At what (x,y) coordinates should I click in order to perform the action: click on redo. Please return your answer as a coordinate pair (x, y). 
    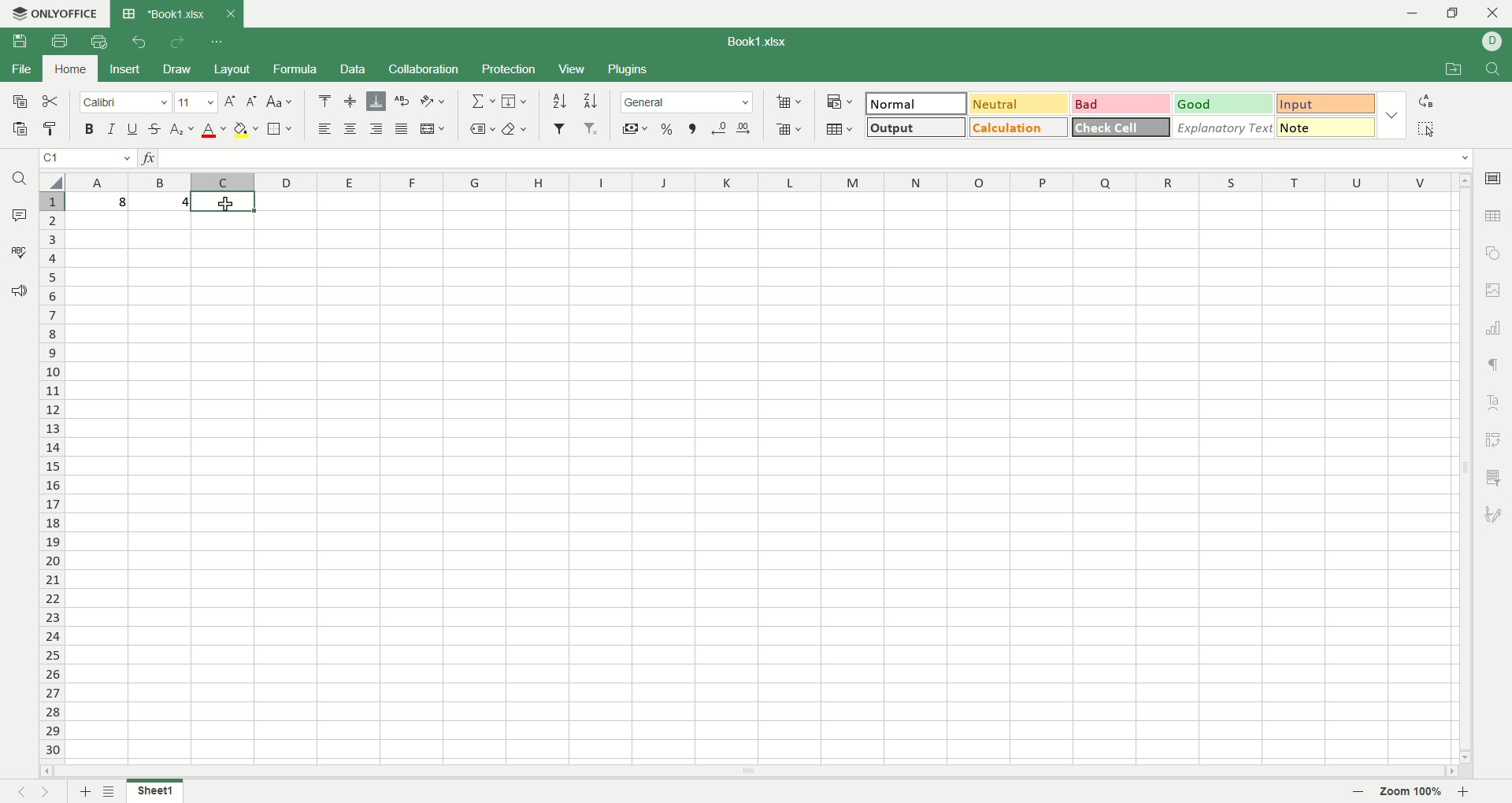
    Looking at the image, I should click on (176, 41).